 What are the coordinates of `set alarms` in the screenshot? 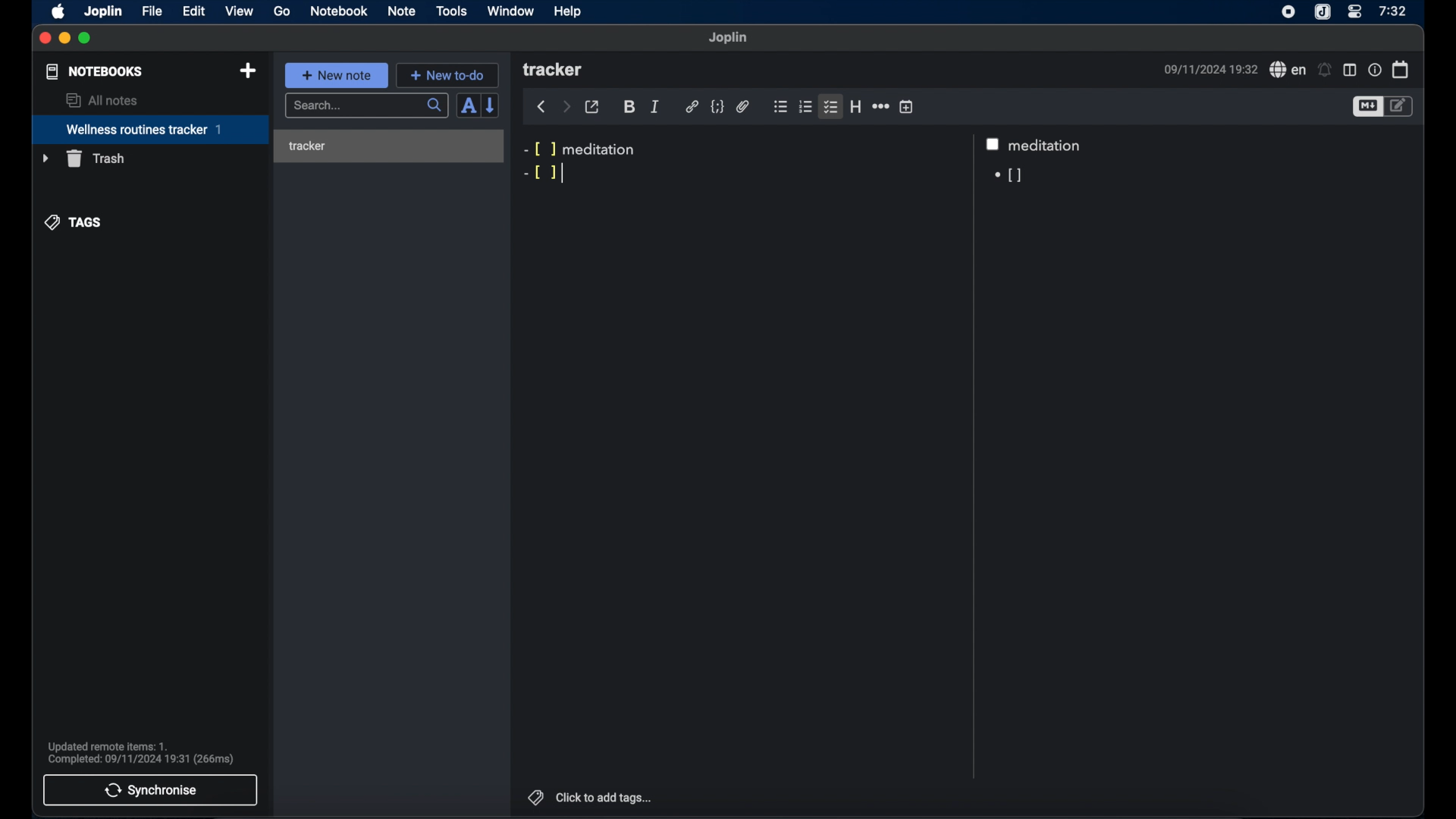 It's located at (1325, 70).